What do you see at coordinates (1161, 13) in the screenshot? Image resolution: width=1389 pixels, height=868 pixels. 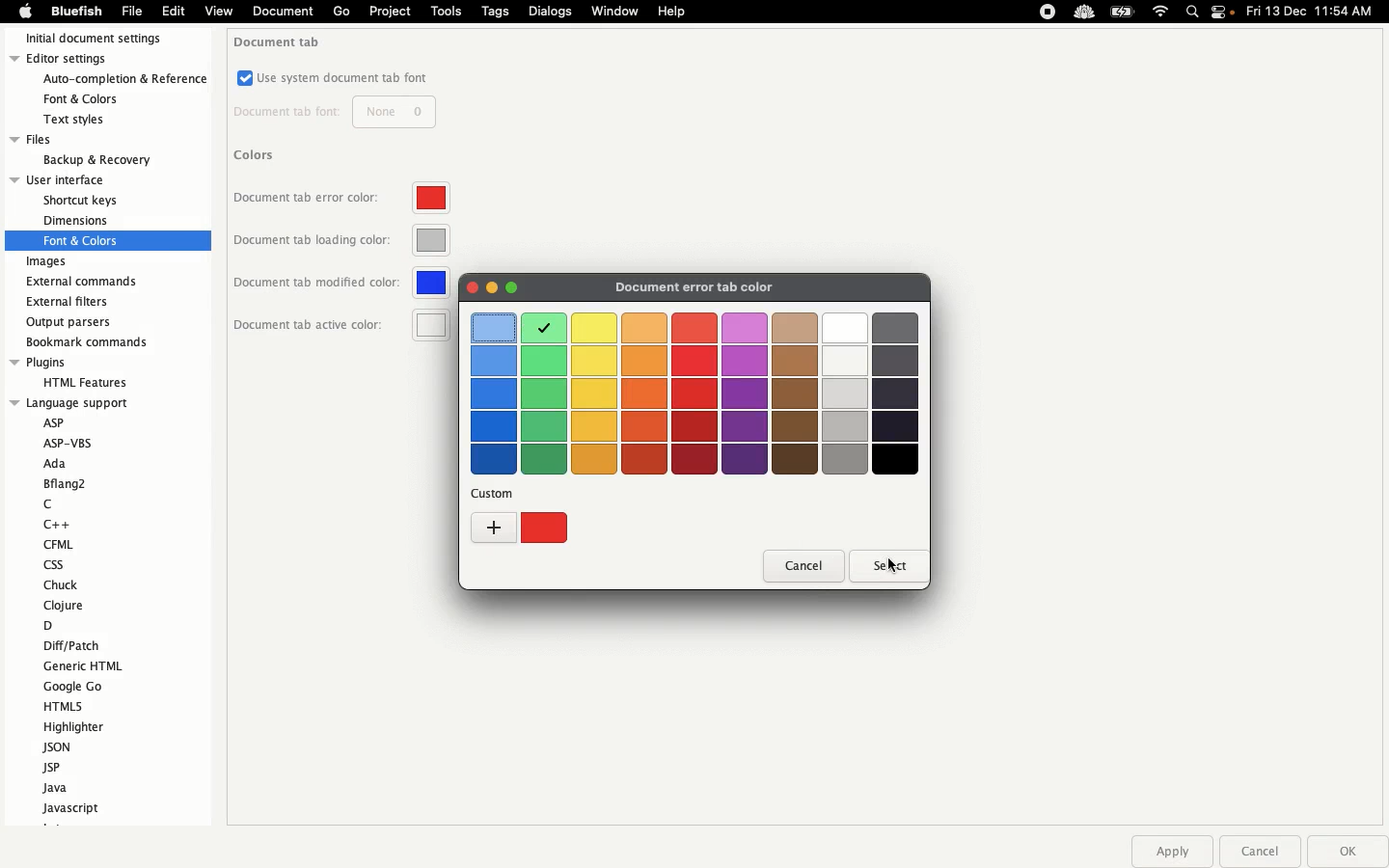 I see `Internet` at bounding box center [1161, 13].